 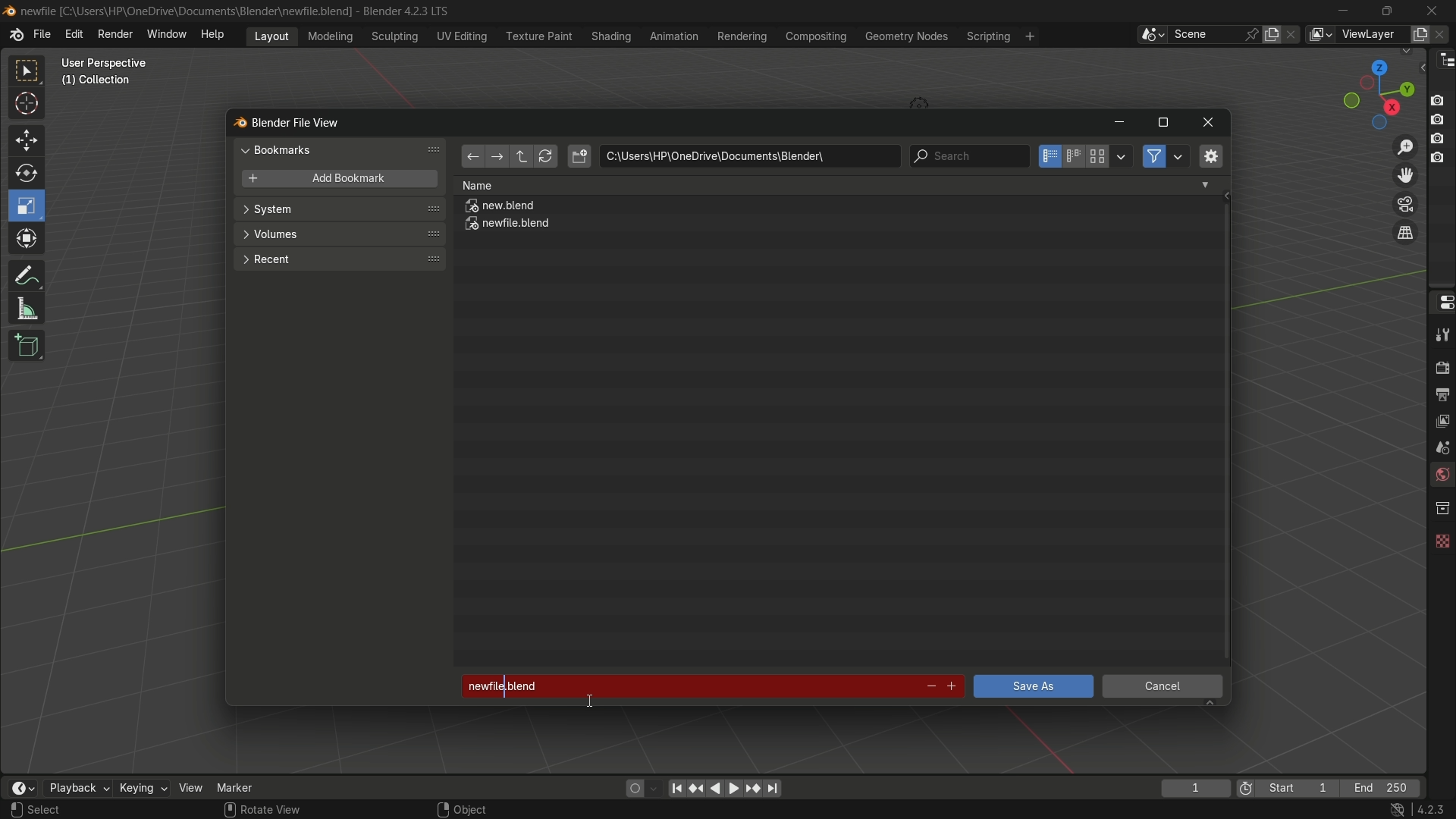 What do you see at coordinates (337, 258) in the screenshot?
I see `recent` at bounding box center [337, 258].